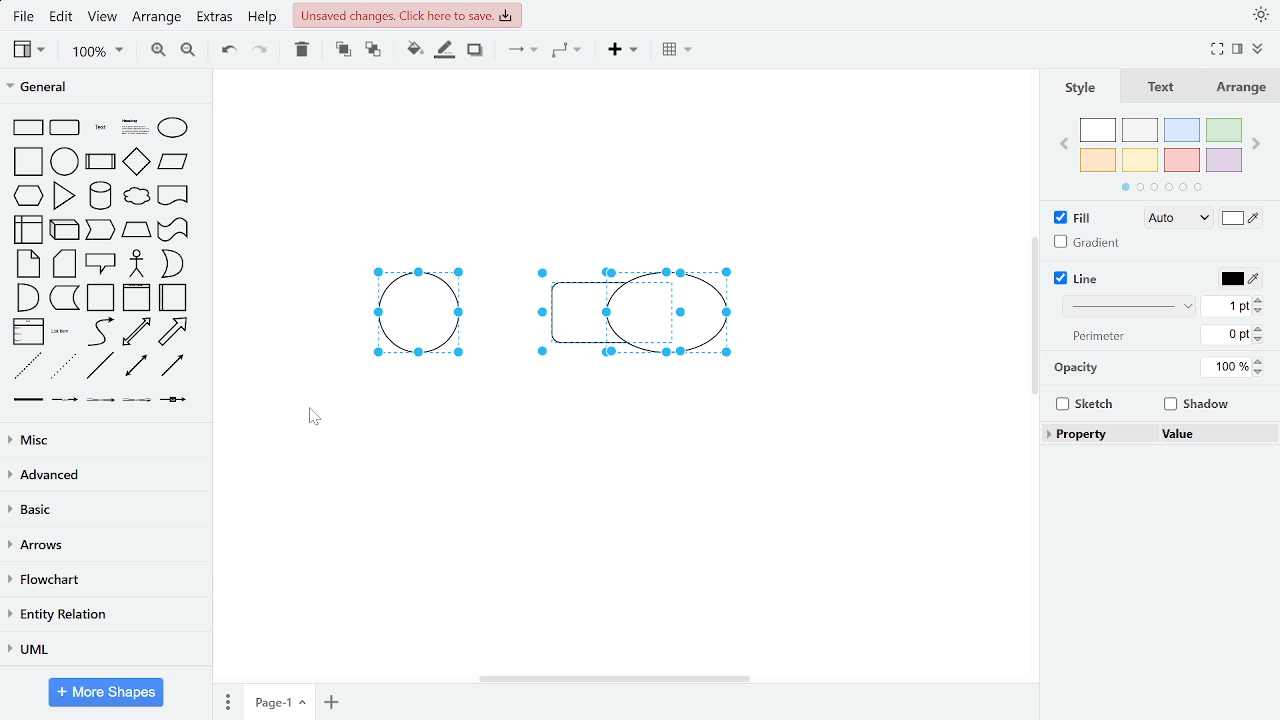  I want to click on line, so click(101, 366).